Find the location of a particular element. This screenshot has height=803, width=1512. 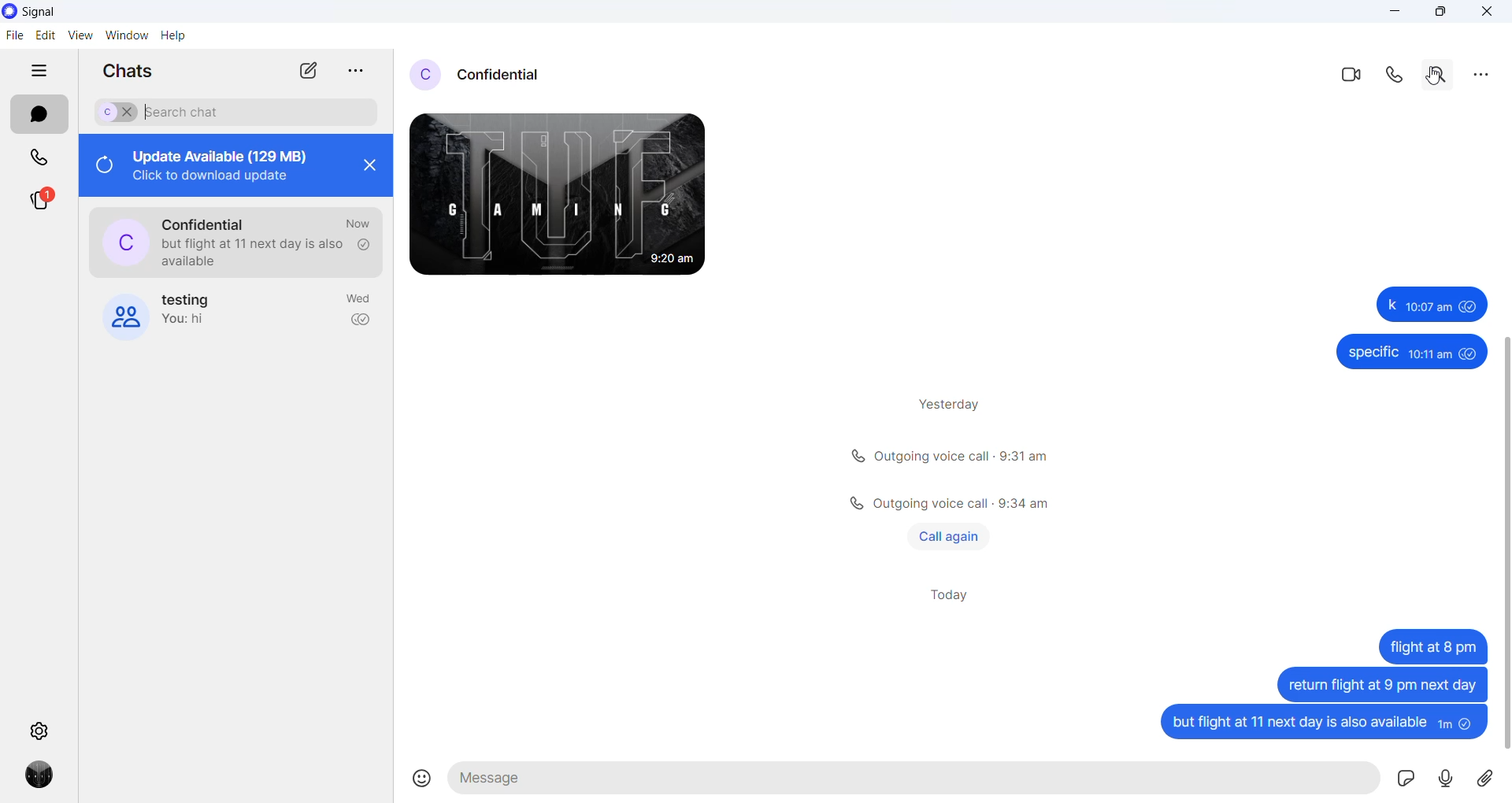

update is located at coordinates (228, 164).